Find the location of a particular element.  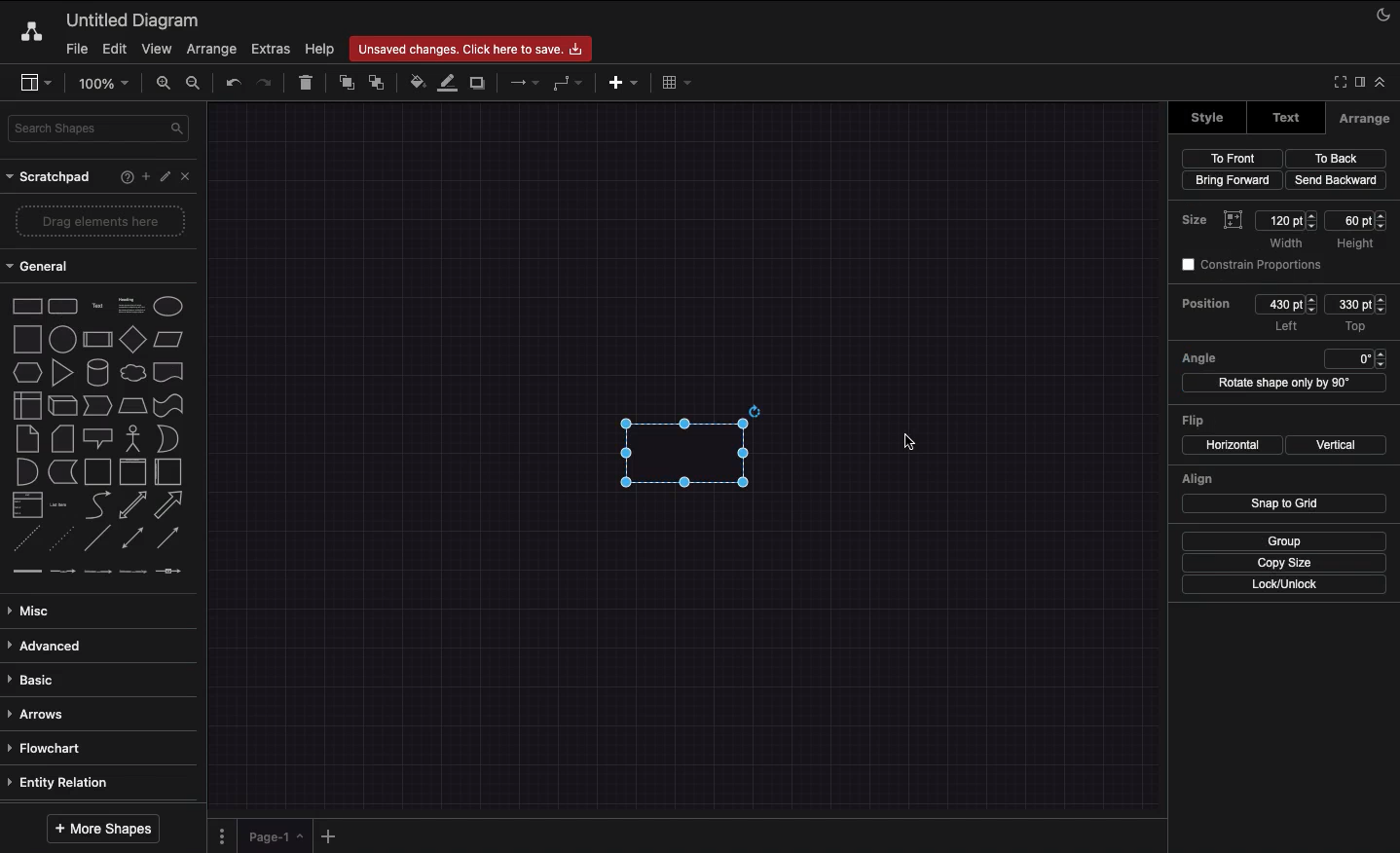

Shadow is located at coordinates (481, 83).